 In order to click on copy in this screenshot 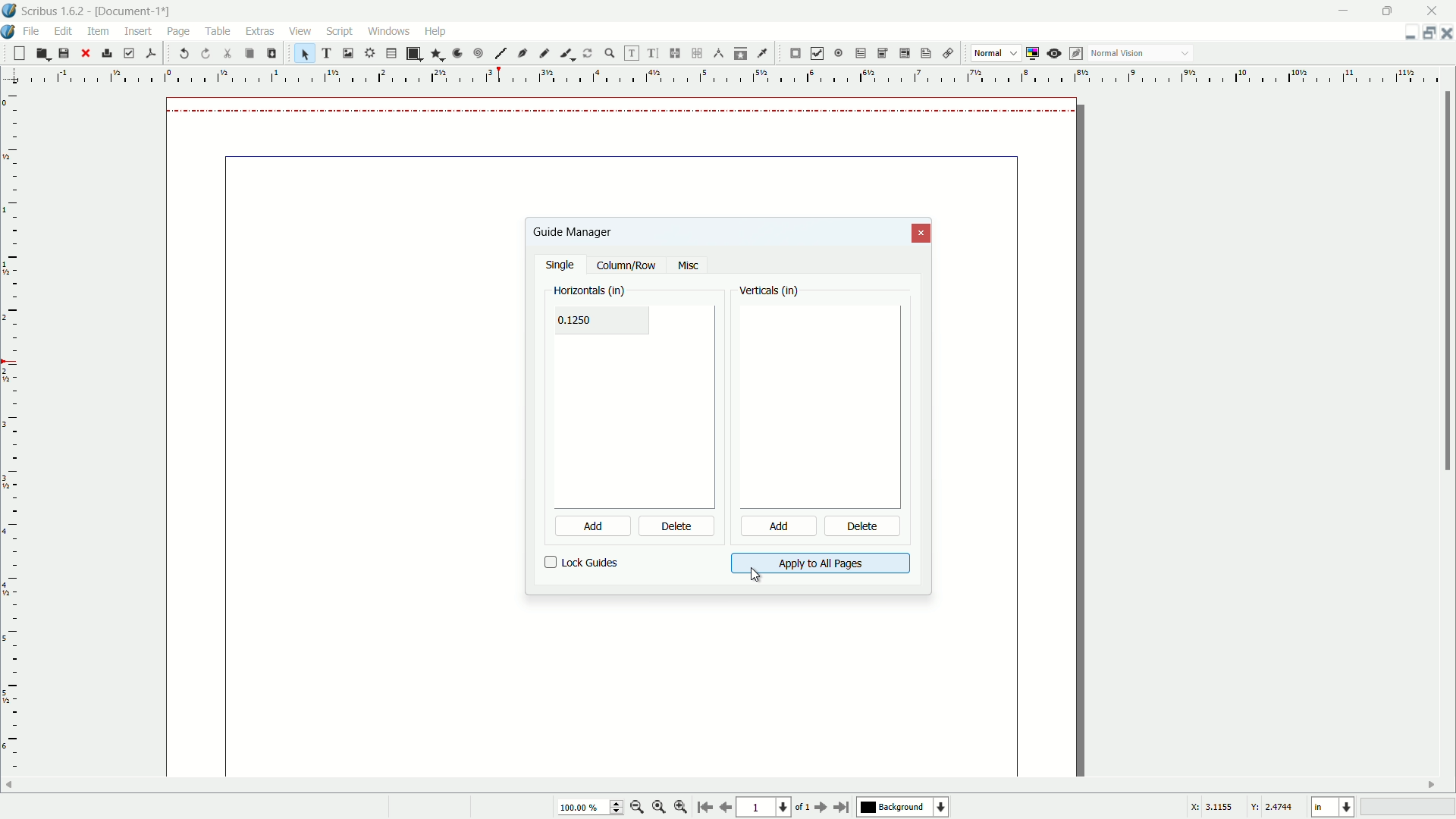, I will do `click(249, 54)`.